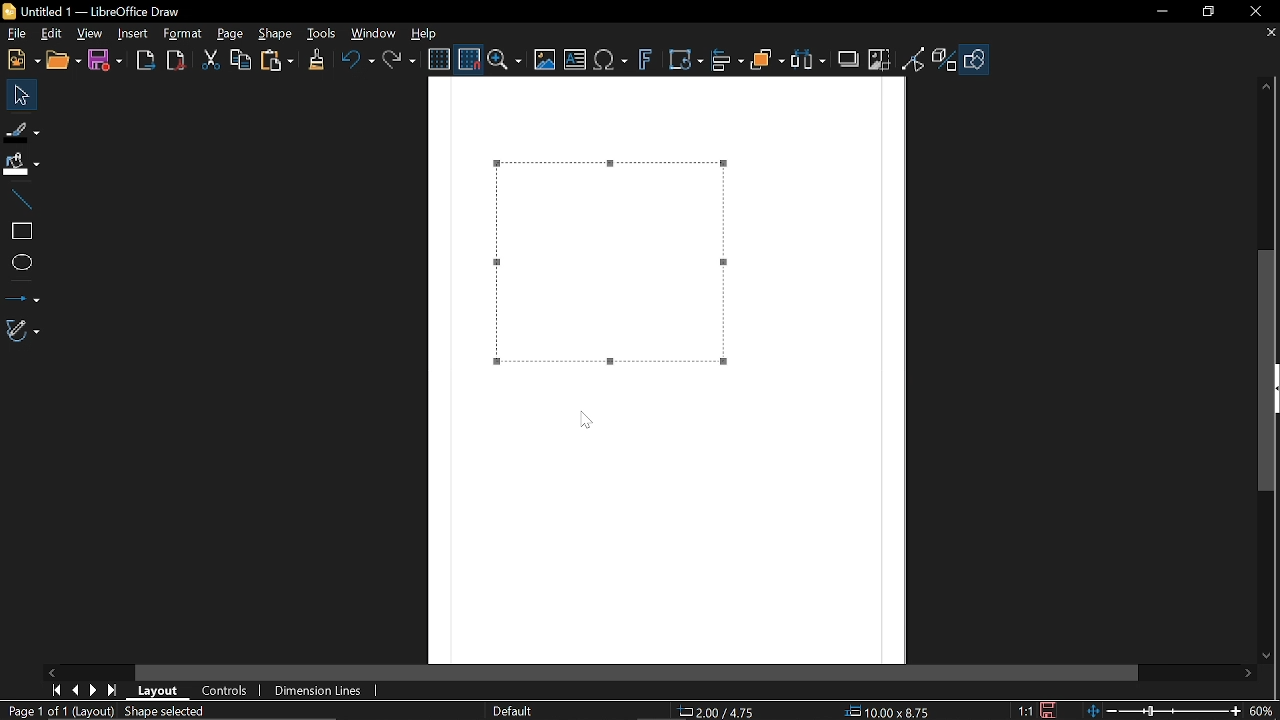 The width and height of the screenshot is (1280, 720). What do you see at coordinates (425, 33) in the screenshot?
I see `Help` at bounding box center [425, 33].